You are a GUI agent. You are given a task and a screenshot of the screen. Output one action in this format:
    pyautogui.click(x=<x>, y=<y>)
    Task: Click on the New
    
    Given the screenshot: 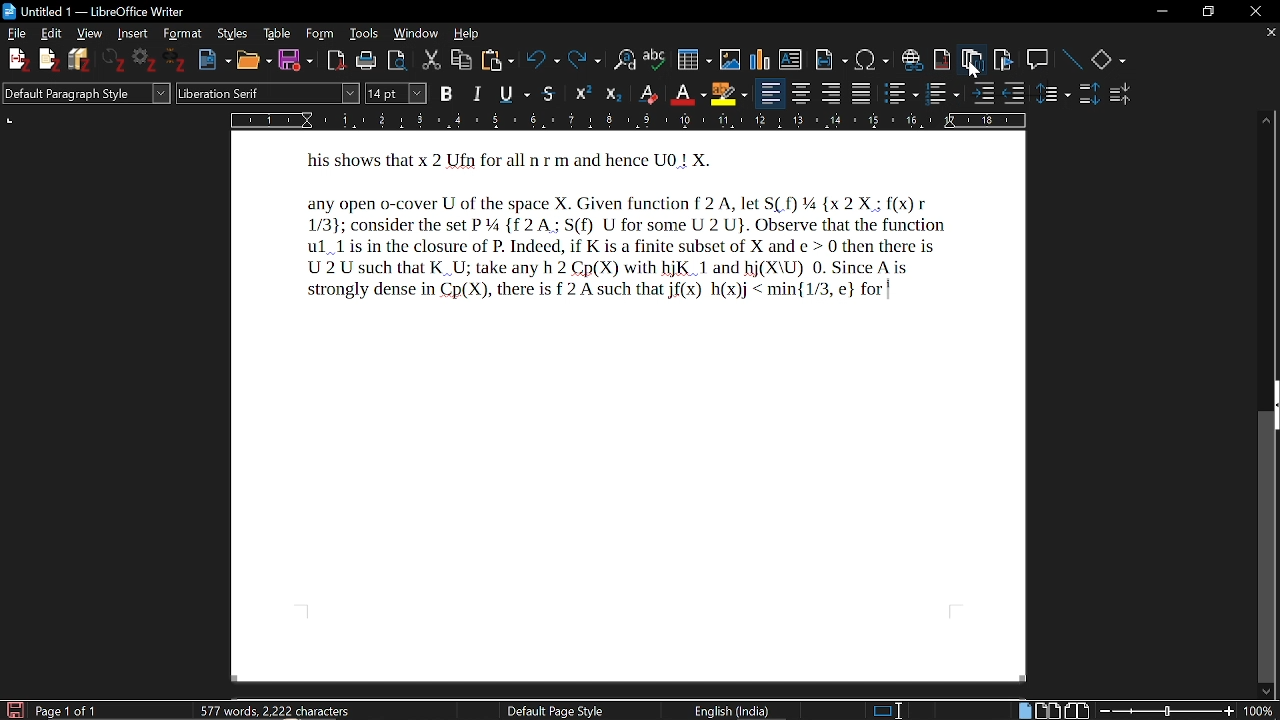 What is the action you would take?
    pyautogui.click(x=214, y=61)
    